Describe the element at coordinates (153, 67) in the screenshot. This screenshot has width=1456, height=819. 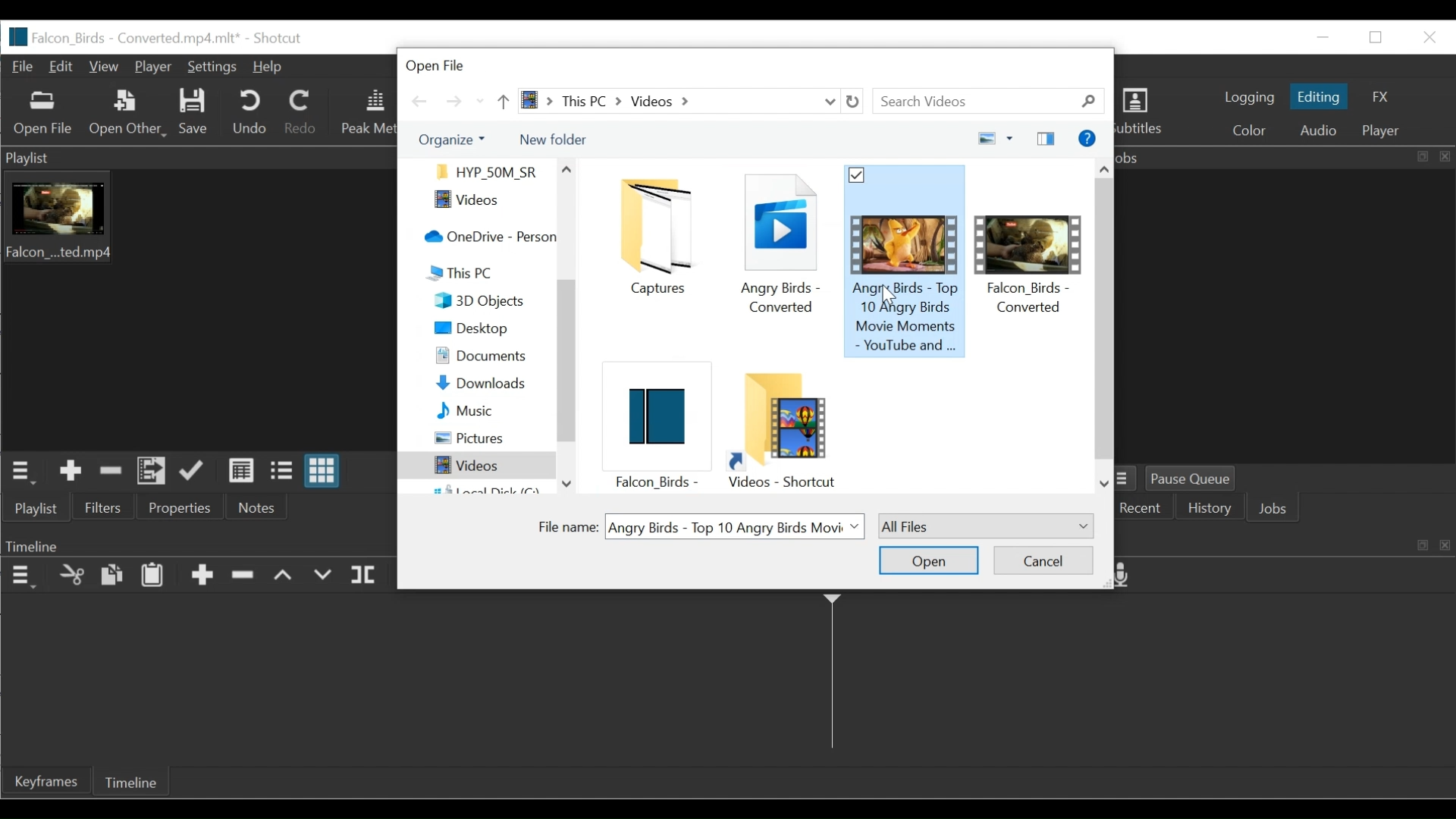
I see `Player` at that location.